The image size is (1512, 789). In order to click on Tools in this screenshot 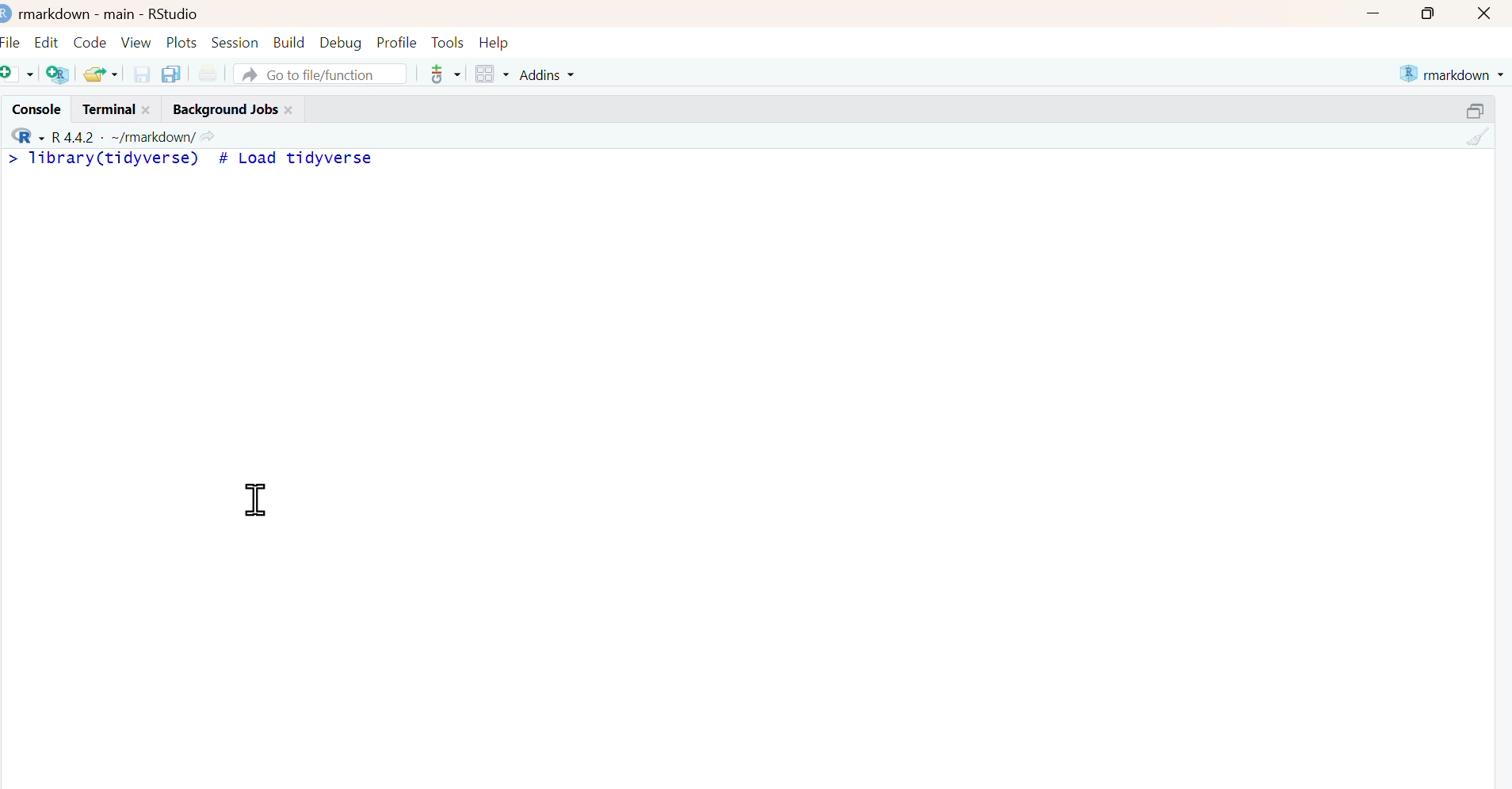, I will do `click(447, 40)`.